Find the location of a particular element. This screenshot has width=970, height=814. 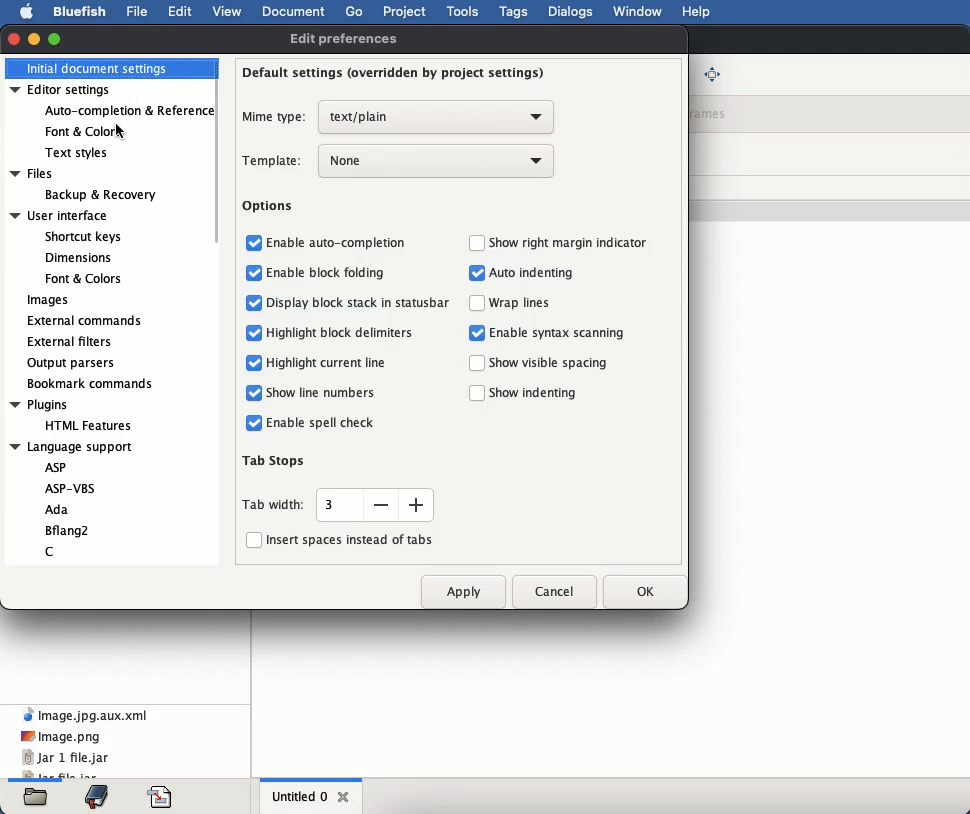

language support is located at coordinates (84, 500).